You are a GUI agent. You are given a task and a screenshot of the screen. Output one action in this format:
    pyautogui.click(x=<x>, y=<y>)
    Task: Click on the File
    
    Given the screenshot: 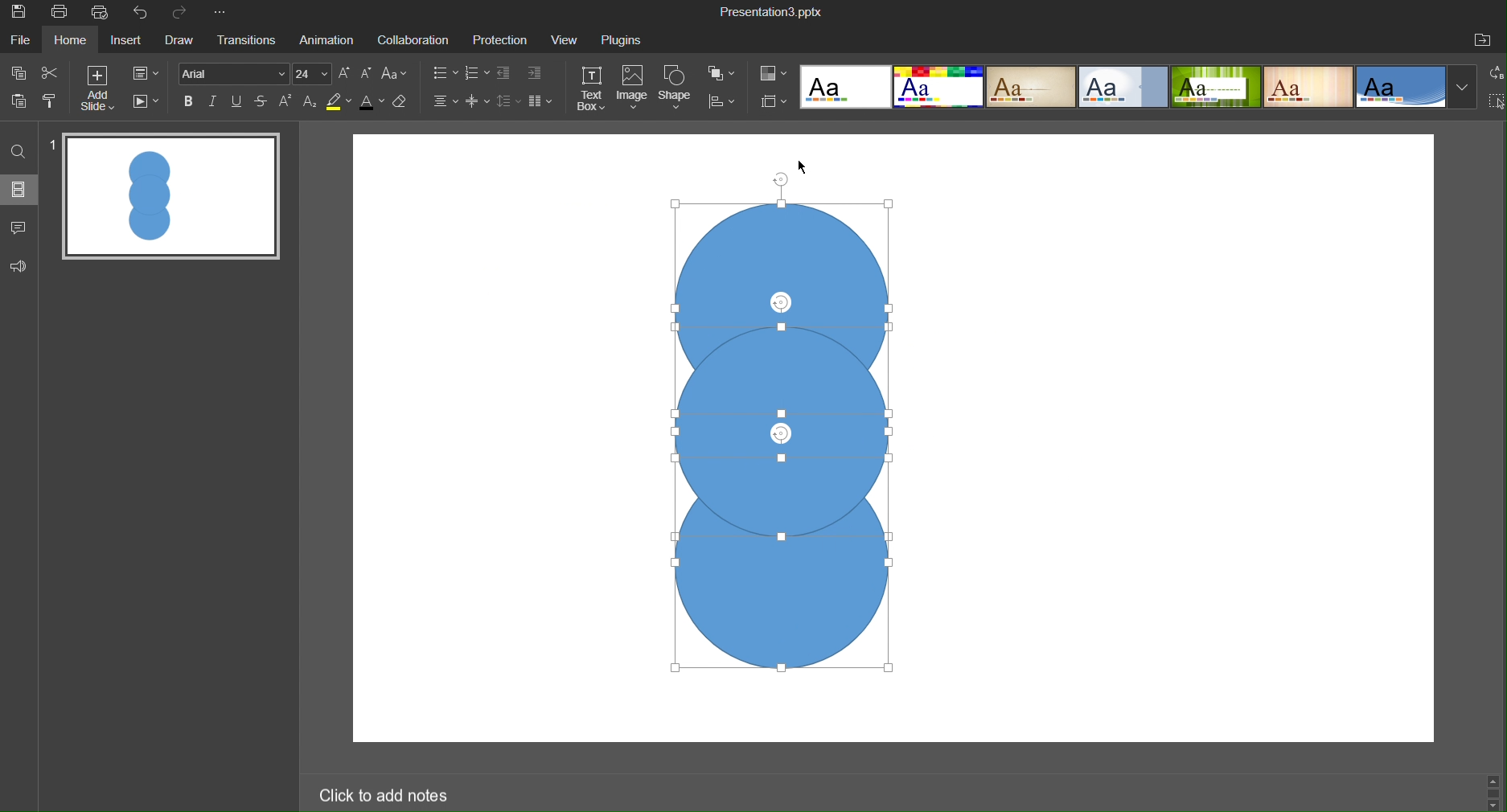 What is the action you would take?
    pyautogui.click(x=22, y=43)
    